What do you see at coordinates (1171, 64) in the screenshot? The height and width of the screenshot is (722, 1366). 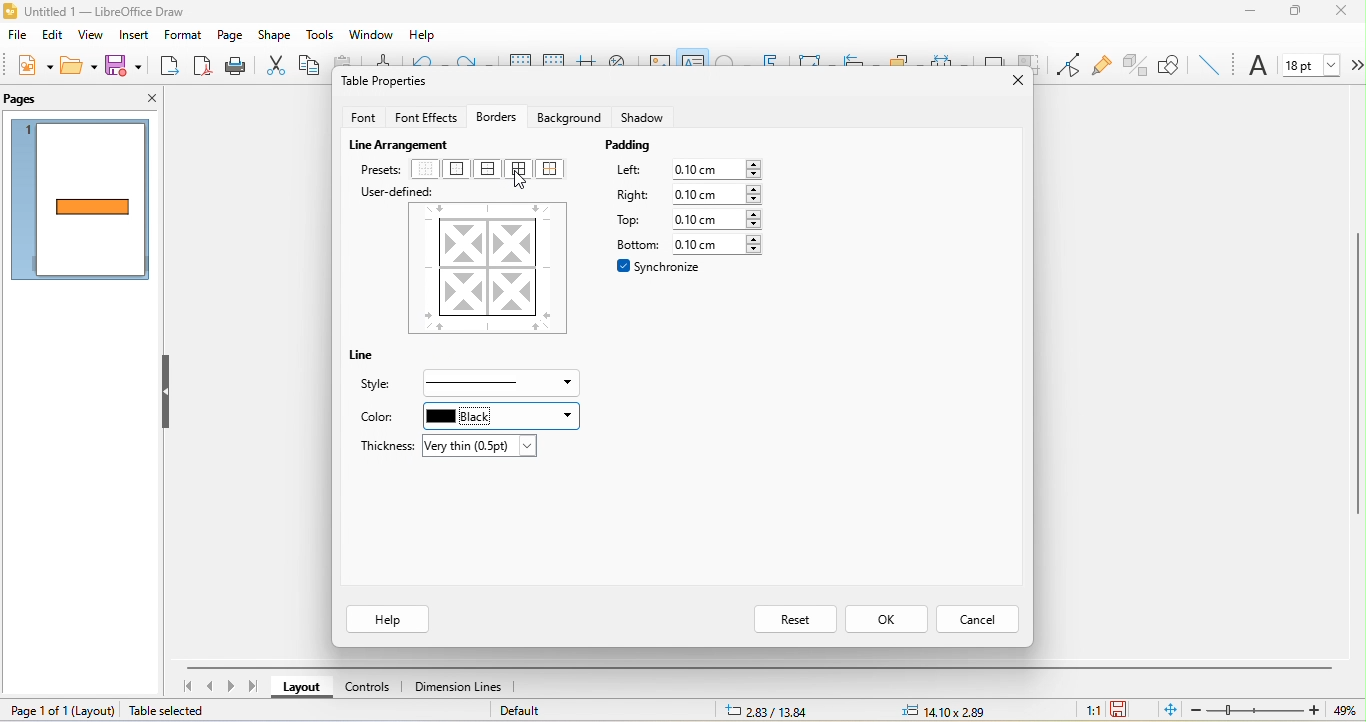 I see `show draw function` at bounding box center [1171, 64].